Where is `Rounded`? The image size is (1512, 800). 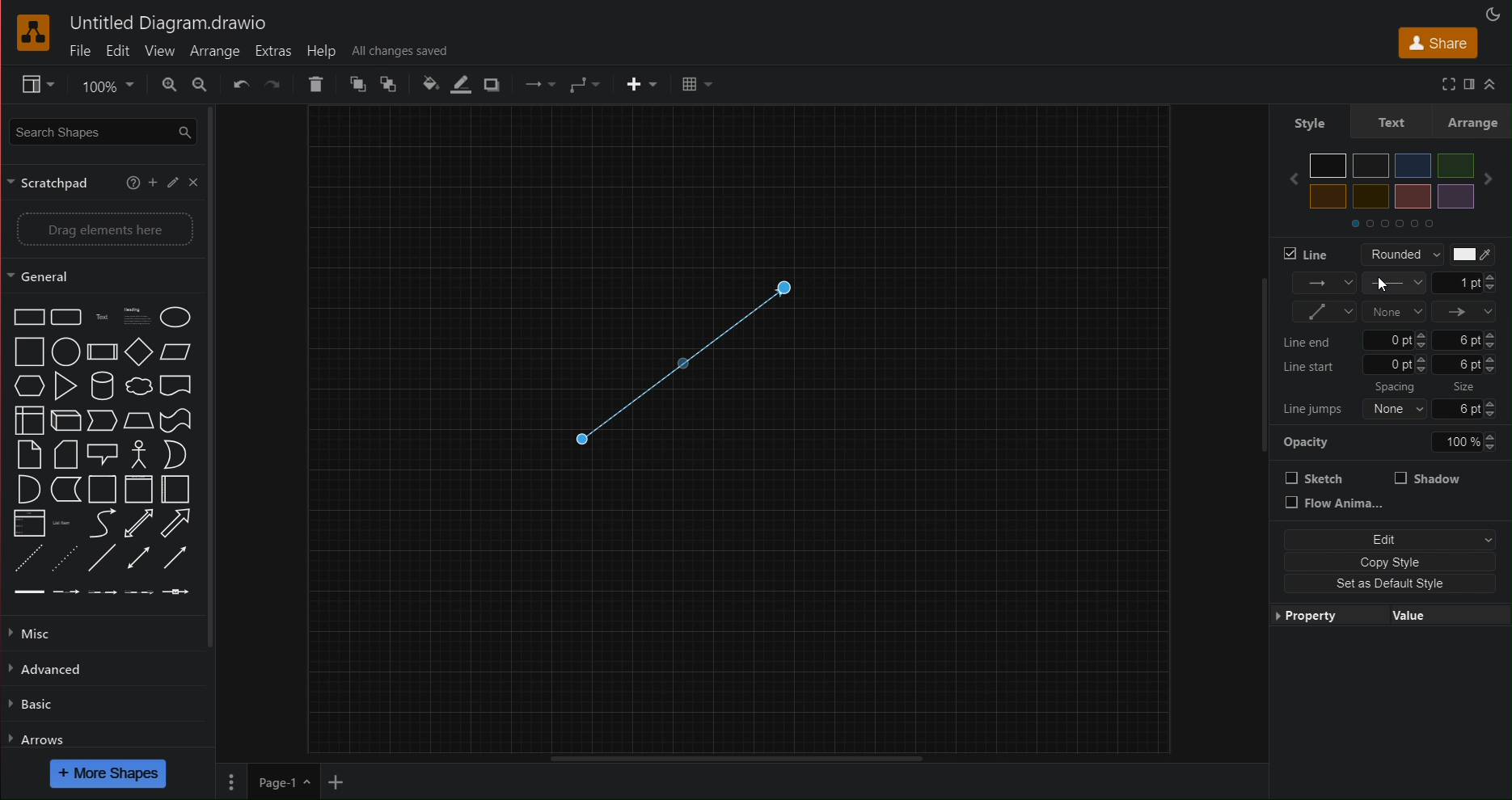
Rounded is located at coordinates (1396, 254).